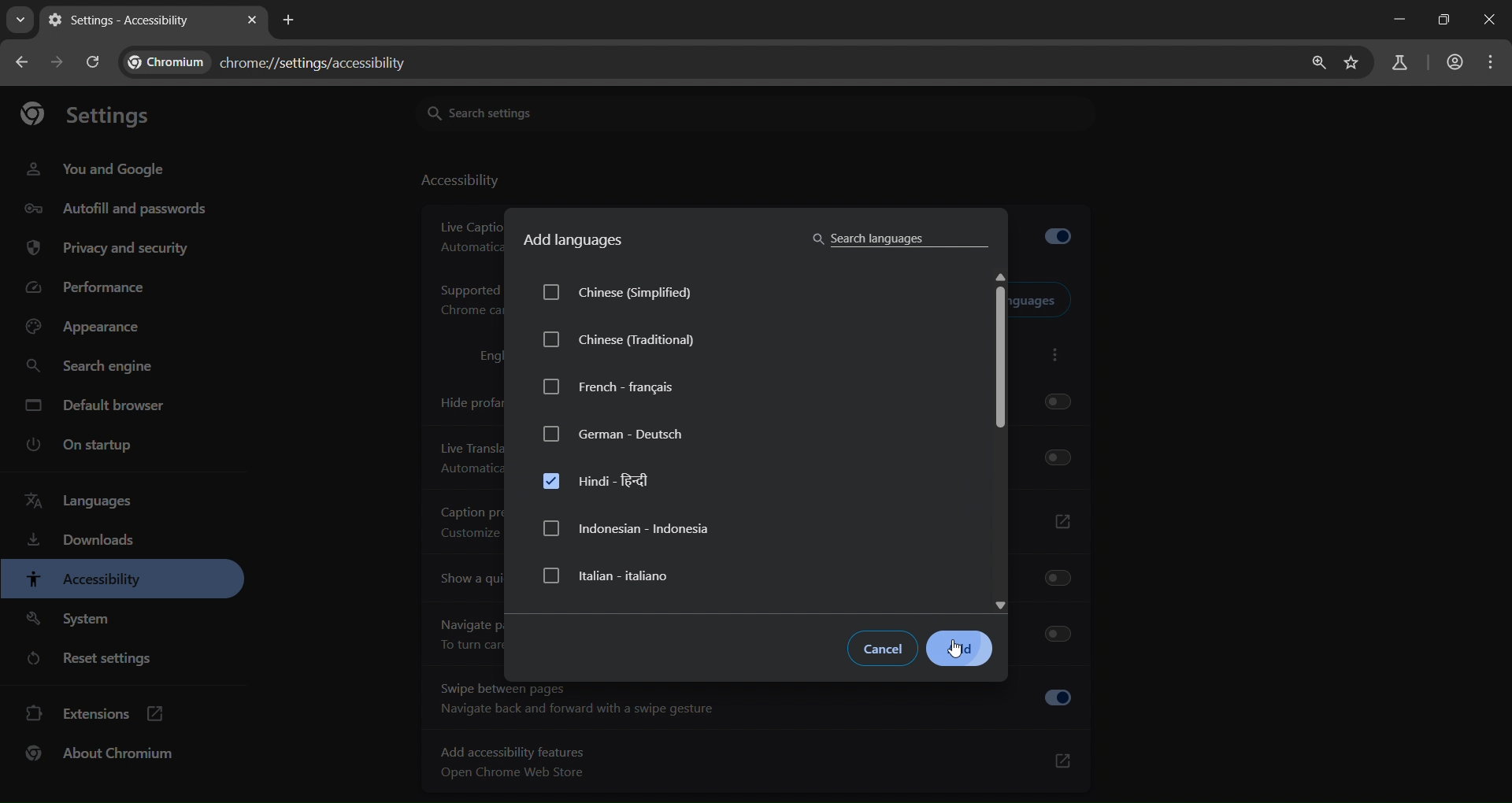 Image resolution: width=1512 pixels, height=803 pixels. I want to click on scroll down, so click(1003, 602).